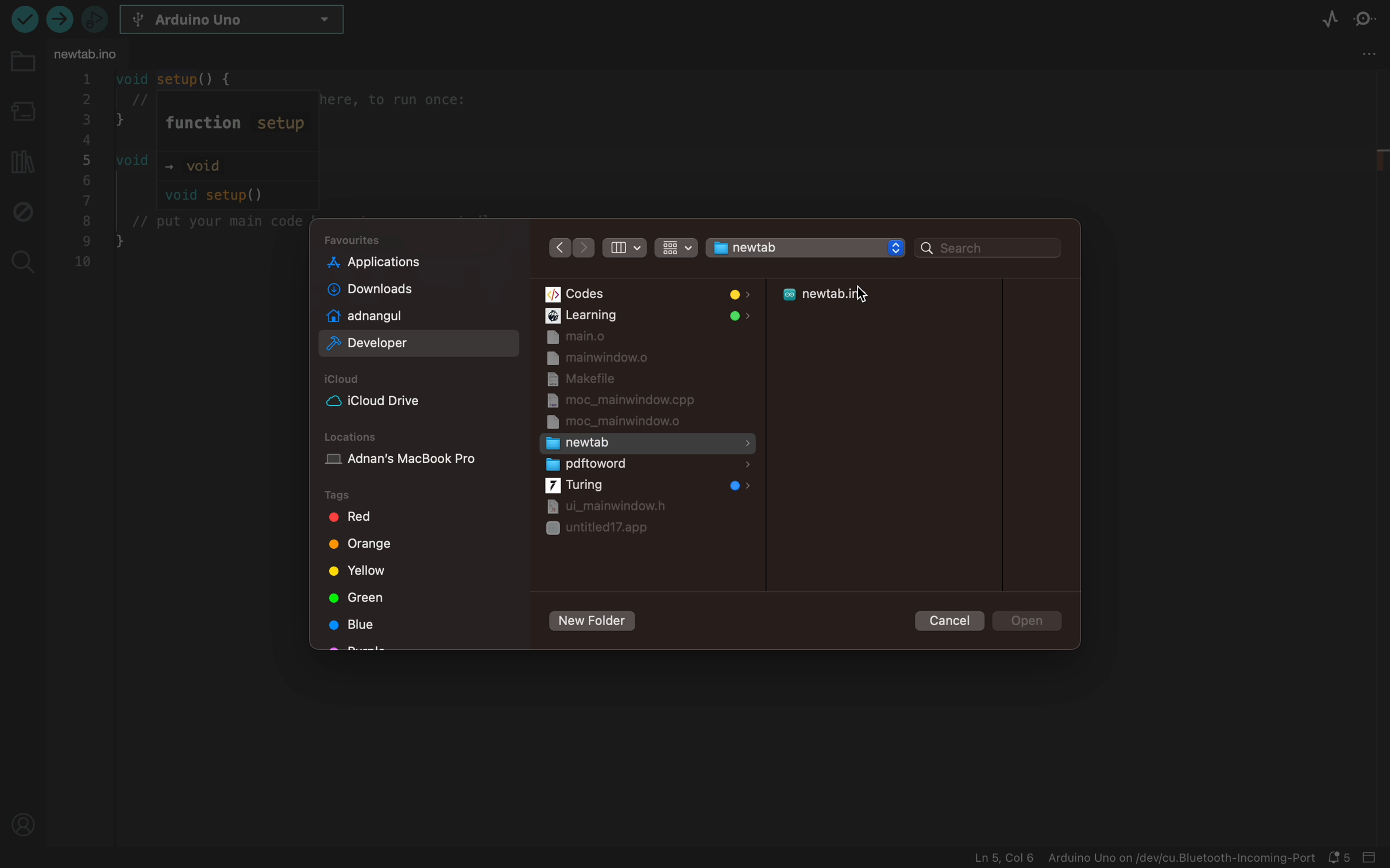 The image size is (1390, 868). What do you see at coordinates (789, 246) in the screenshot?
I see `select folder` at bounding box center [789, 246].